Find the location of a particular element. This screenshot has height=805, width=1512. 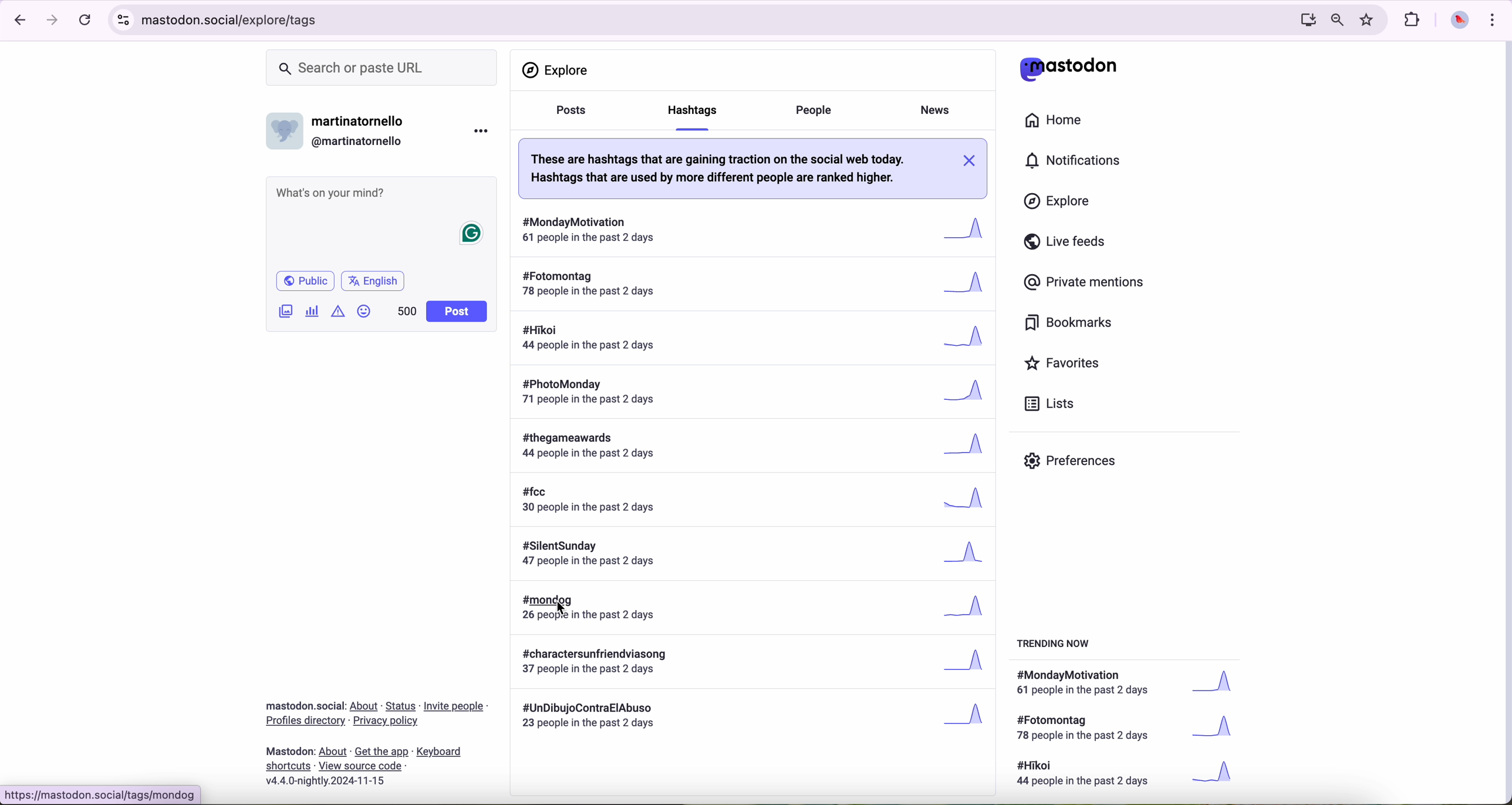

cursor on hashtag option is located at coordinates (689, 114).